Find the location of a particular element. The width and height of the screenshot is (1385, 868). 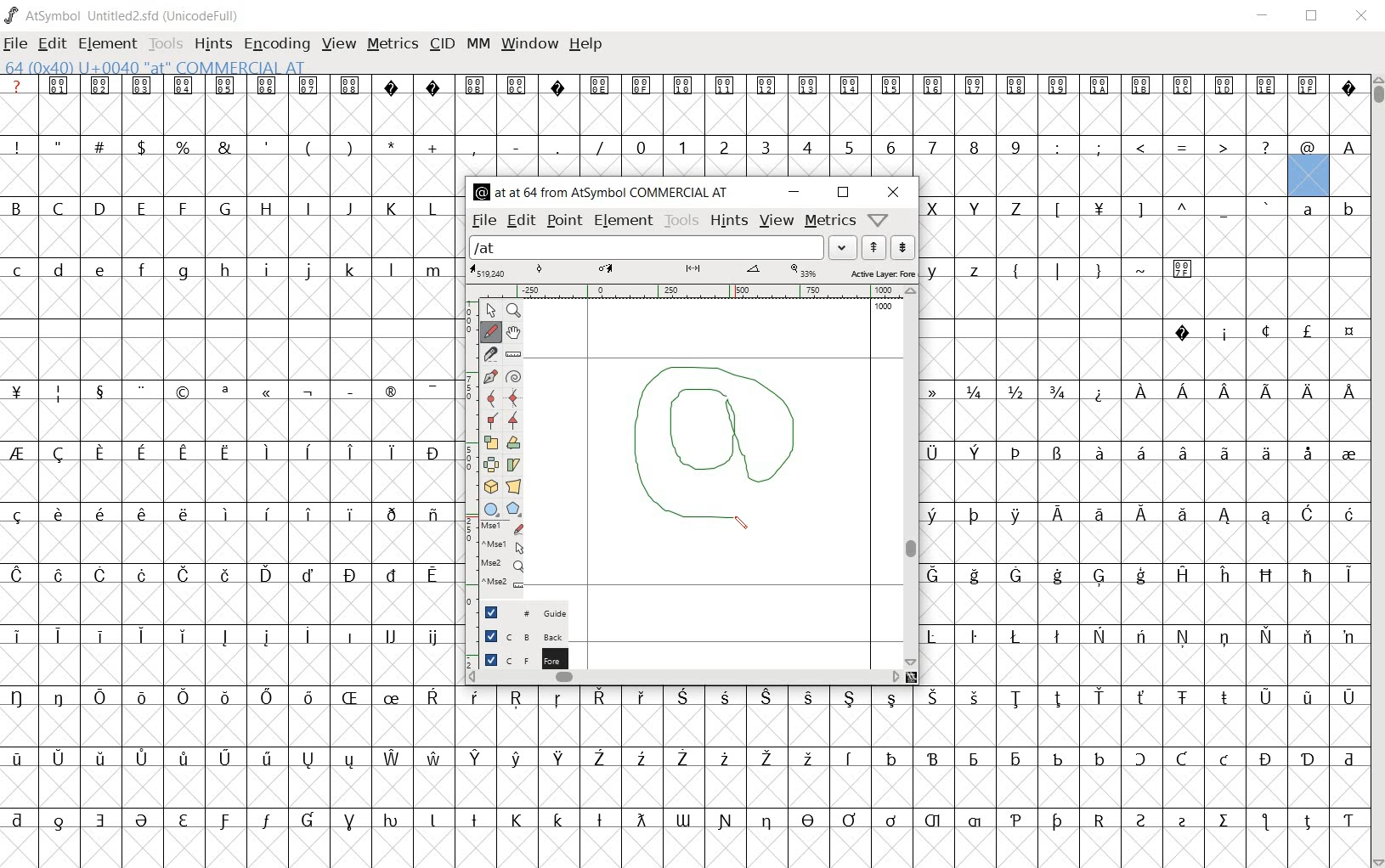

file is located at coordinates (483, 222).